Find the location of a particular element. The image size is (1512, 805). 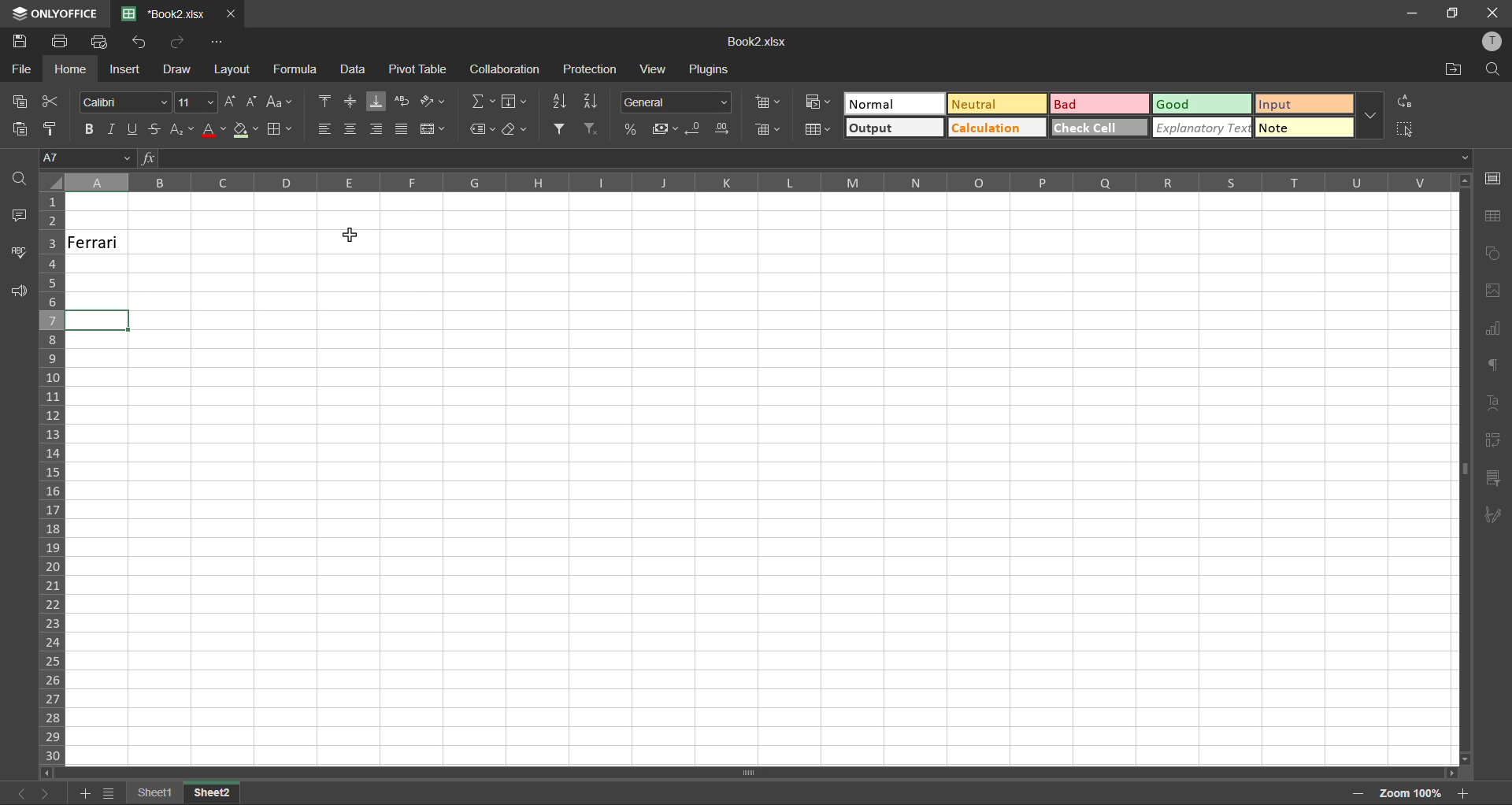

view is located at coordinates (656, 69).